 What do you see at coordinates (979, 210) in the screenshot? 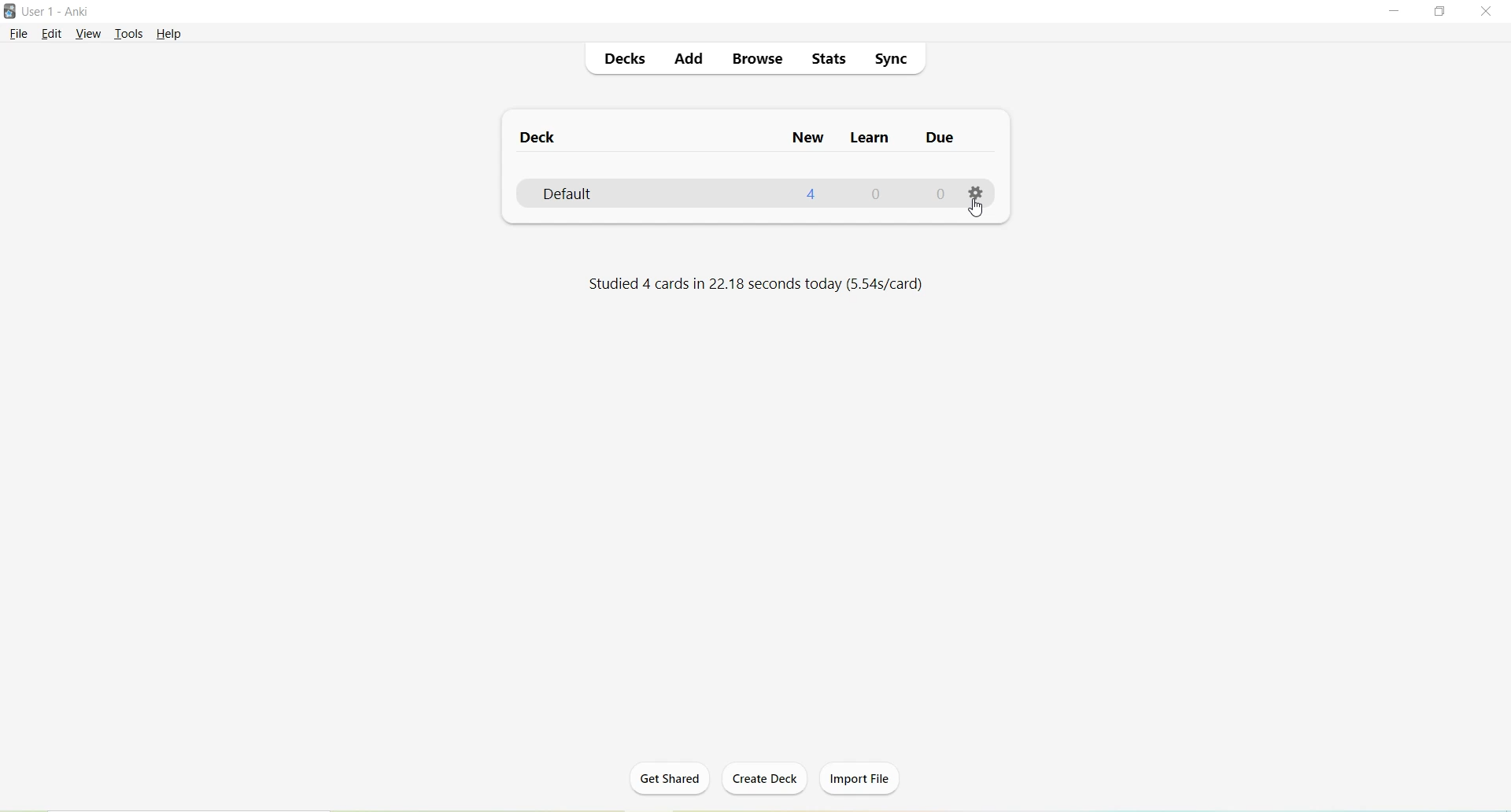
I see `Cursor` at bounding box center [979, 210].